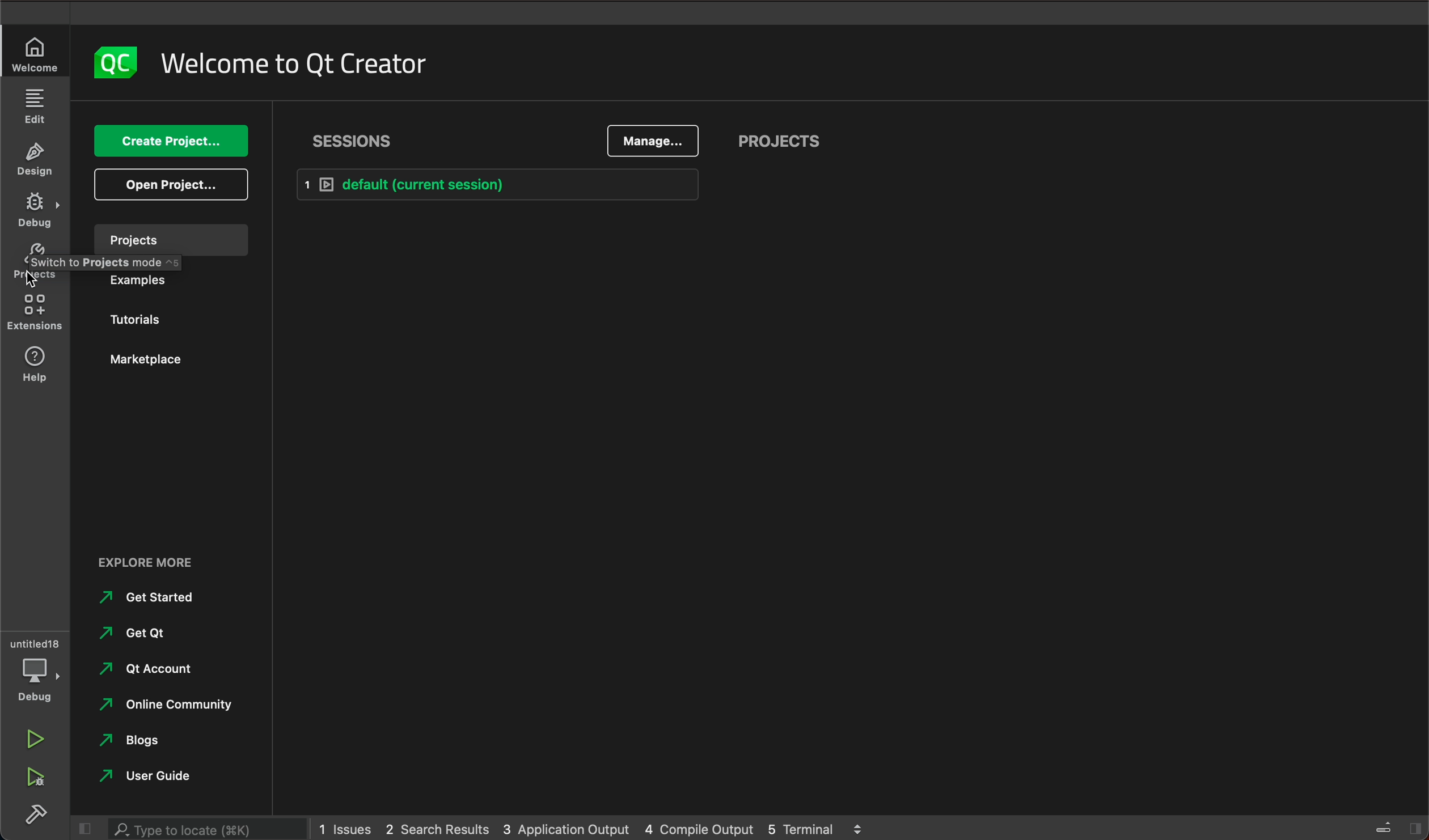 Image resolution: width=1429 pixels, height=840 pixels. Describe the element at coordinates (37, 211) in the screenshot. I see `DEBUG` at that location.